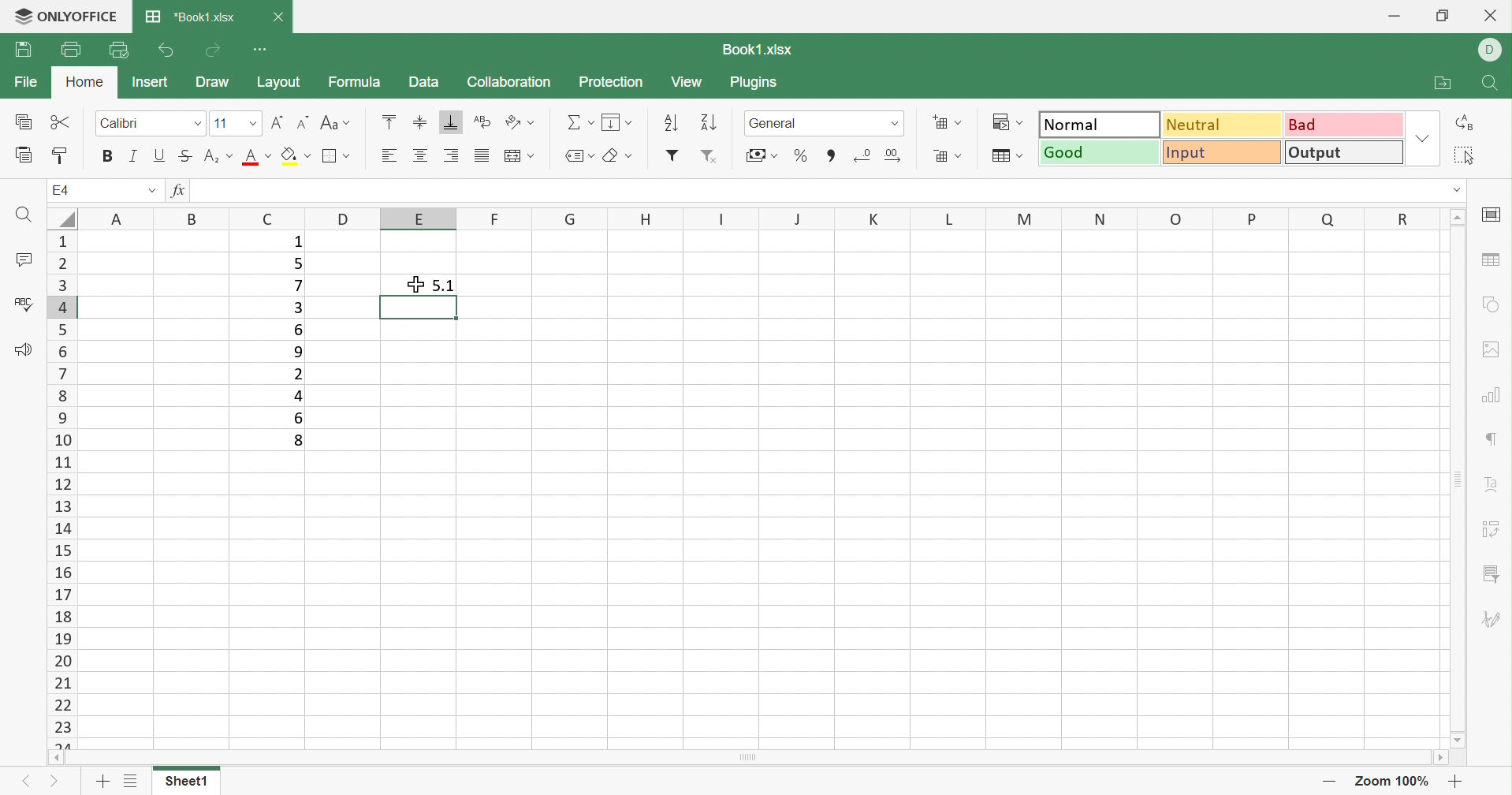 The image size is (1512, 795). Describe the element at coordinates (294, 286) in the screenshot. I see `7` at that location.